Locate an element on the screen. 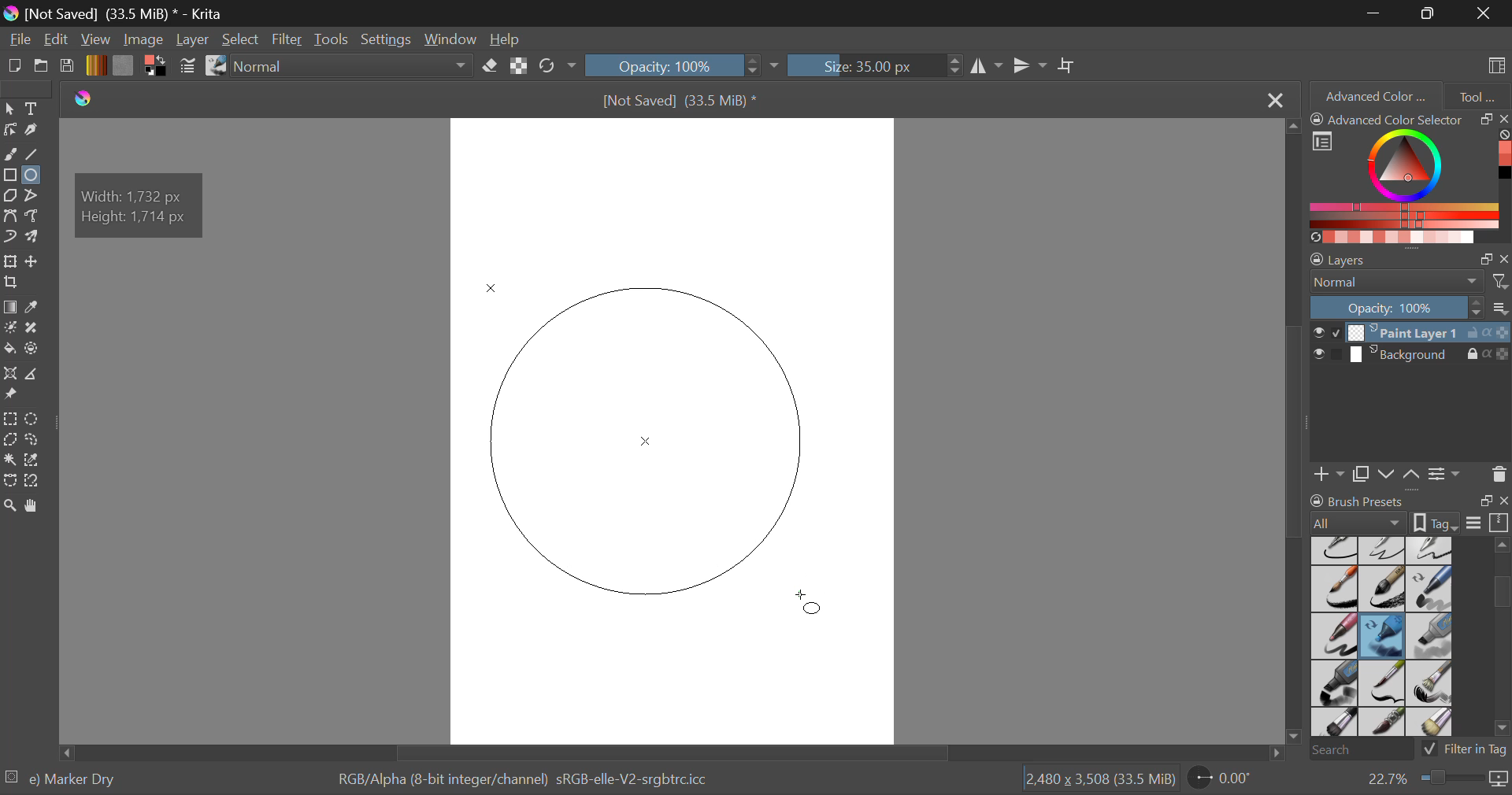 Image resolution: width=1512 pixels, height=795 pixels. Similar Color Selection is located at coordinates (36, 461).